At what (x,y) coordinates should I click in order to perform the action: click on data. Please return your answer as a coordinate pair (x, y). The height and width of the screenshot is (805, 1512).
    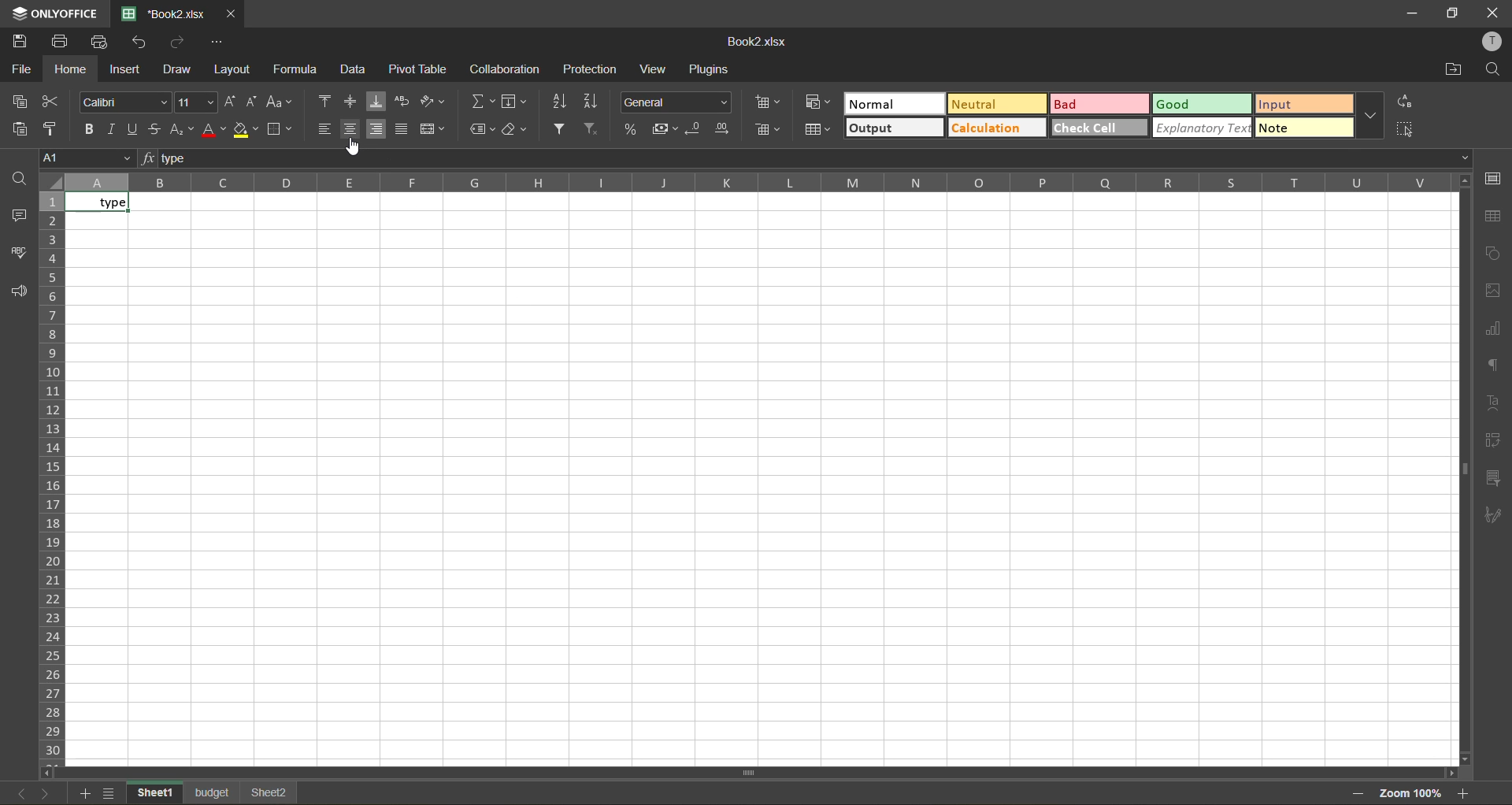
    Looking at the image, I should click on (353, 72).